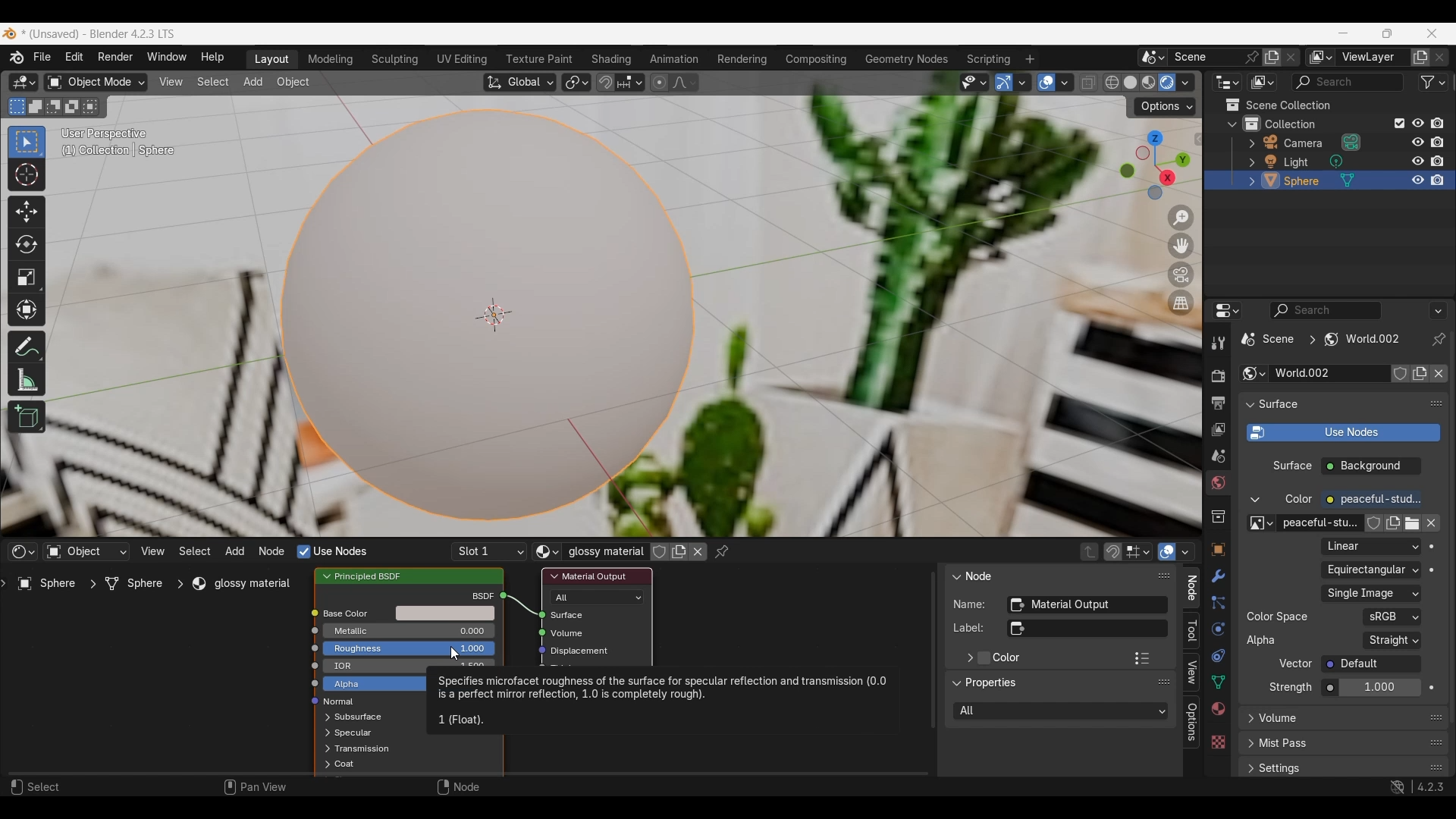  I want to click on sphere, so click(1304, 183).